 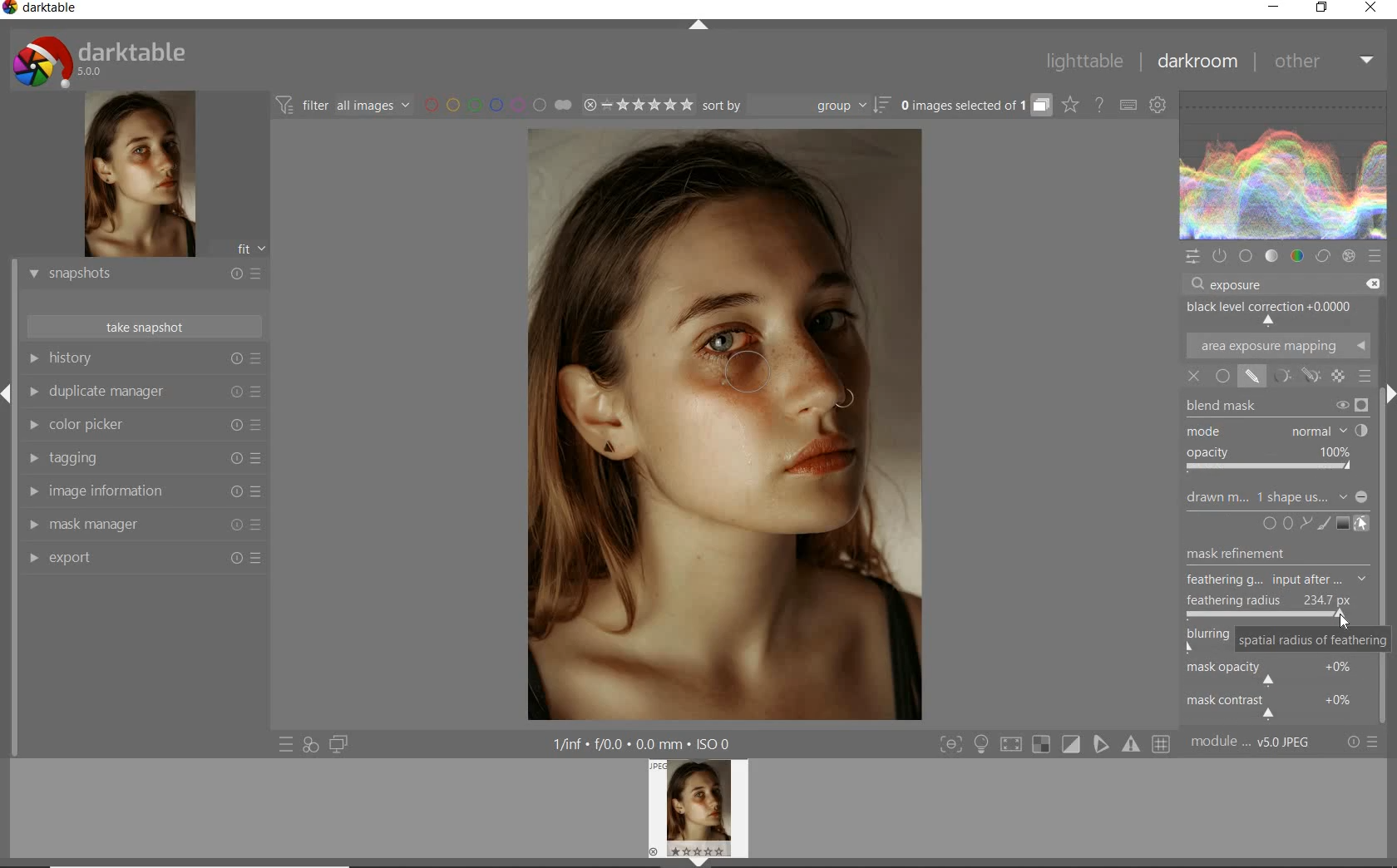 What do you see at coordinates (1275, 708) in the screenshot?
I see `mask contrast` at bounding box center [1275, 708].